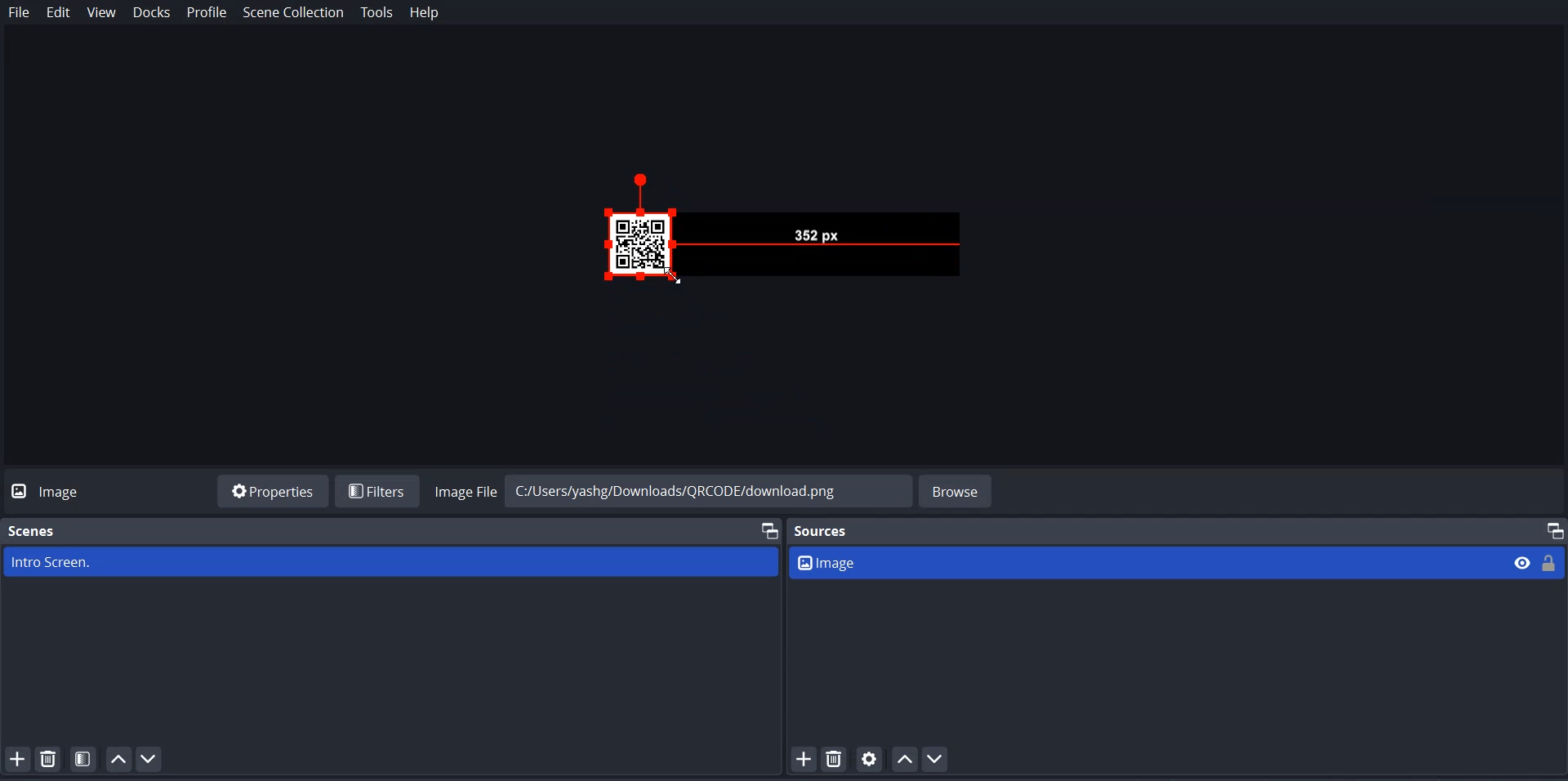  What do you see at coordinates (51, 490) in the screenshot?
I see `Logo` at bounding box center [51, 490].